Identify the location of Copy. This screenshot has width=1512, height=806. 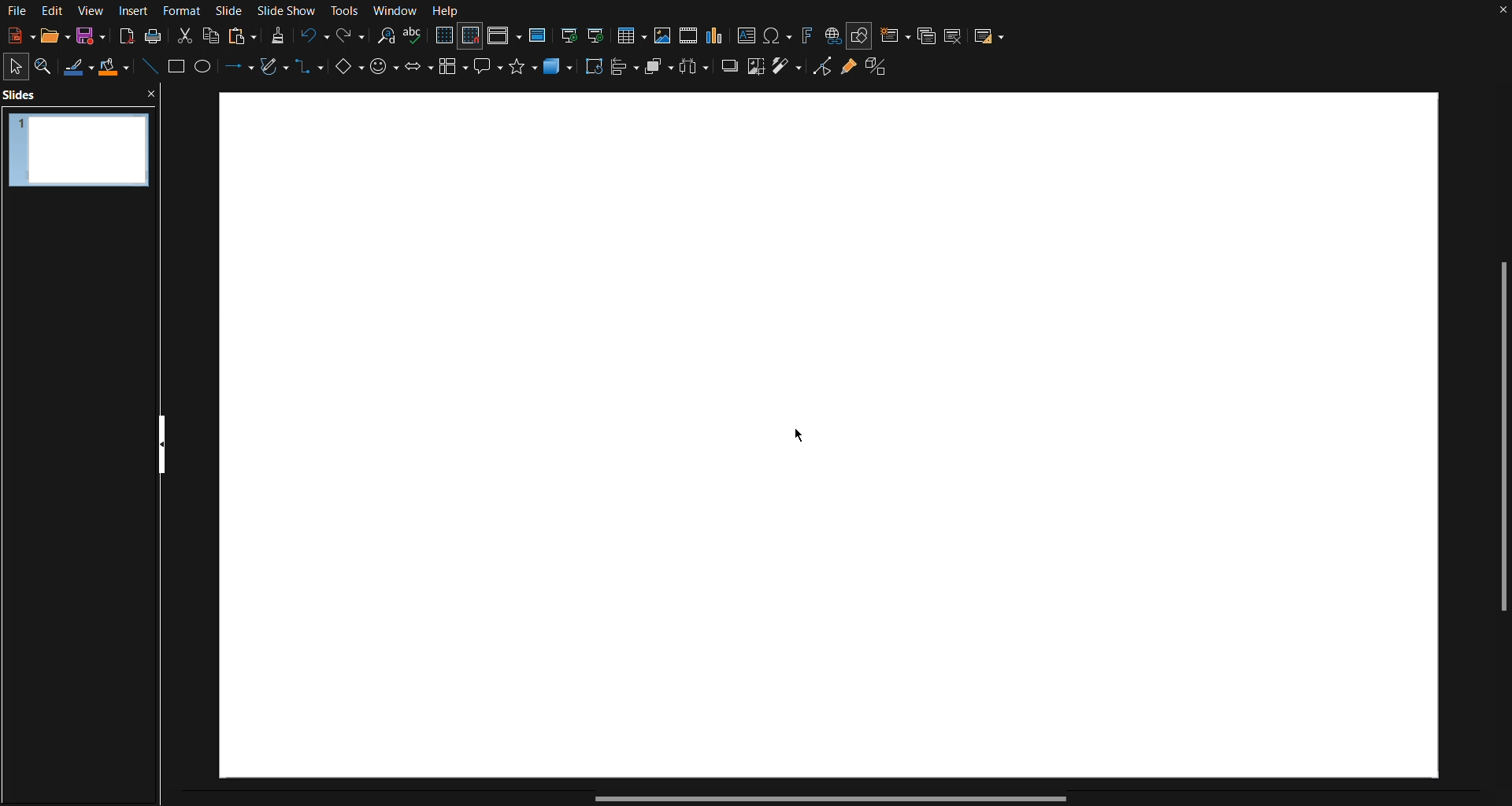
(212, 35).